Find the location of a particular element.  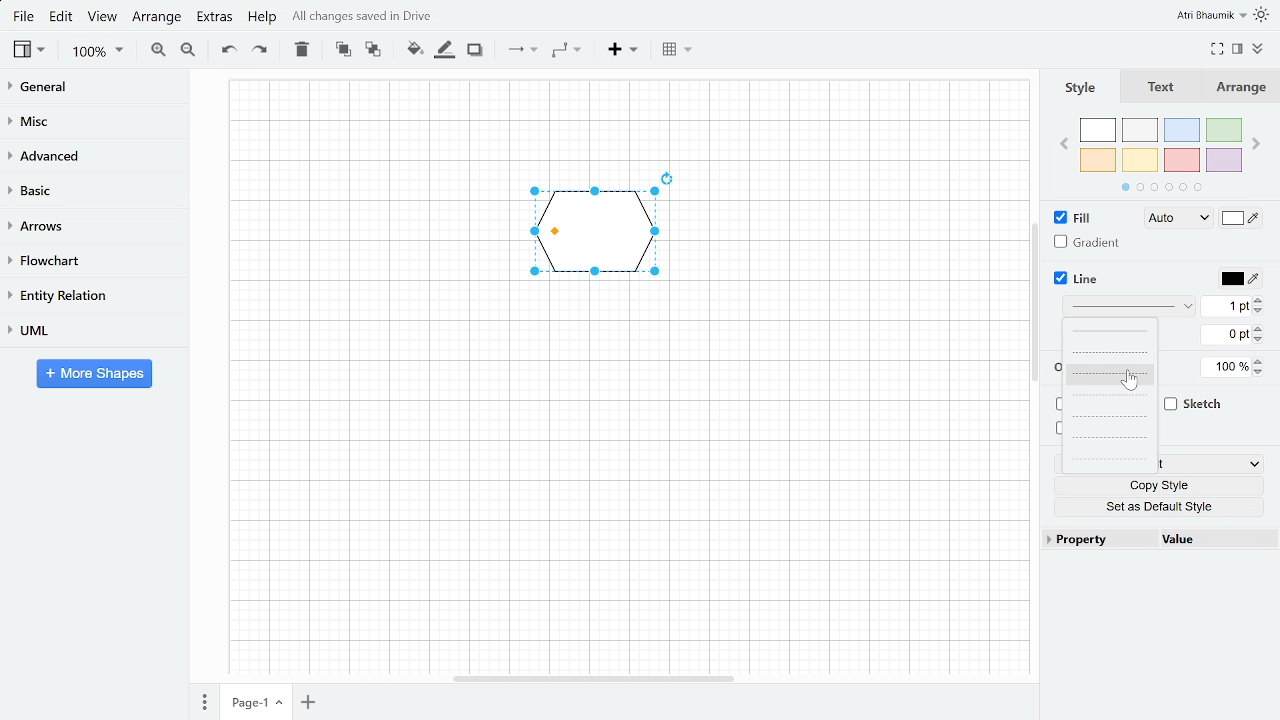

Redo is located at coordinates (259, 50).